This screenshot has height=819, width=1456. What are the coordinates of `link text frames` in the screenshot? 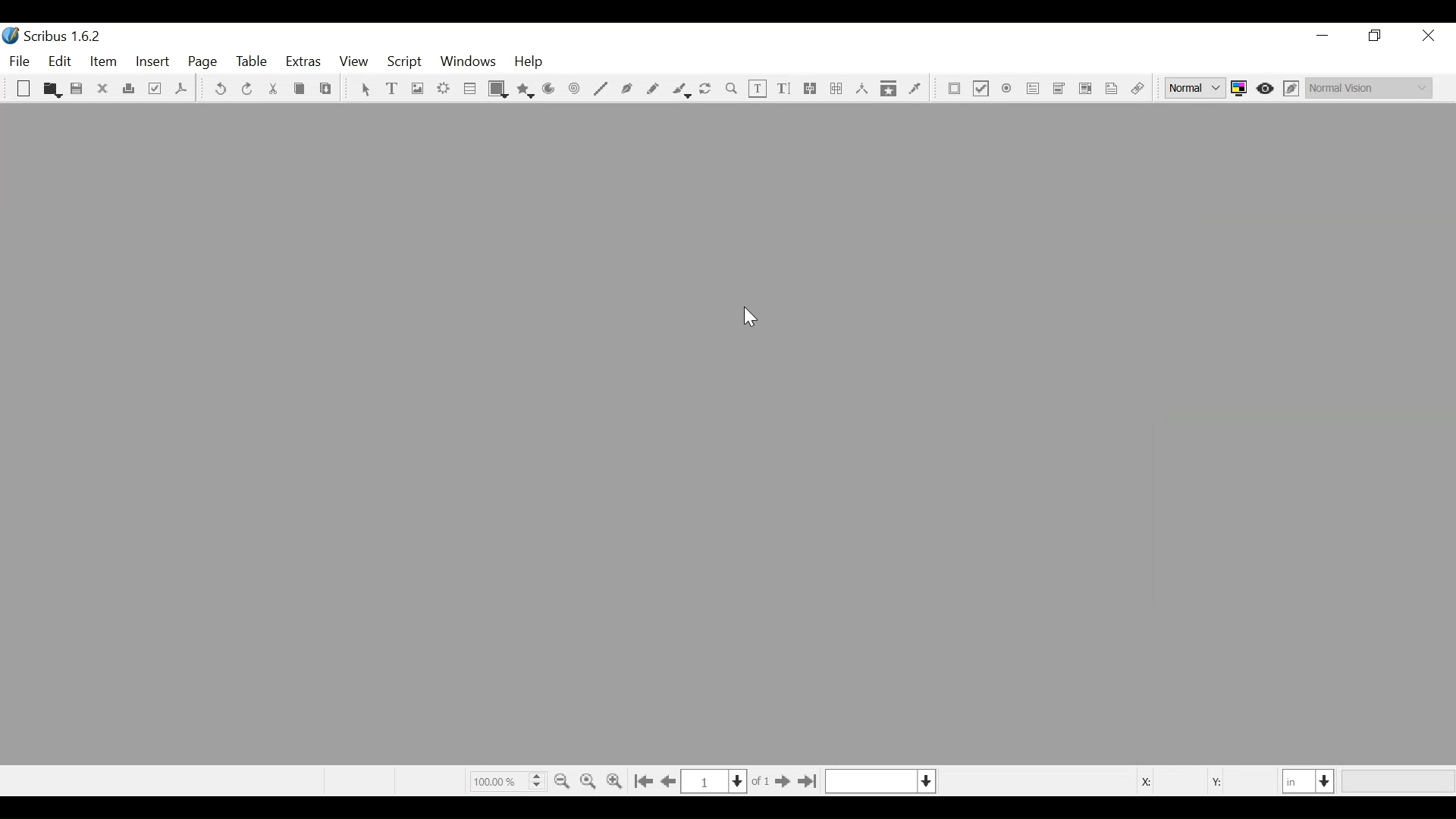 It's located at (811, 89).